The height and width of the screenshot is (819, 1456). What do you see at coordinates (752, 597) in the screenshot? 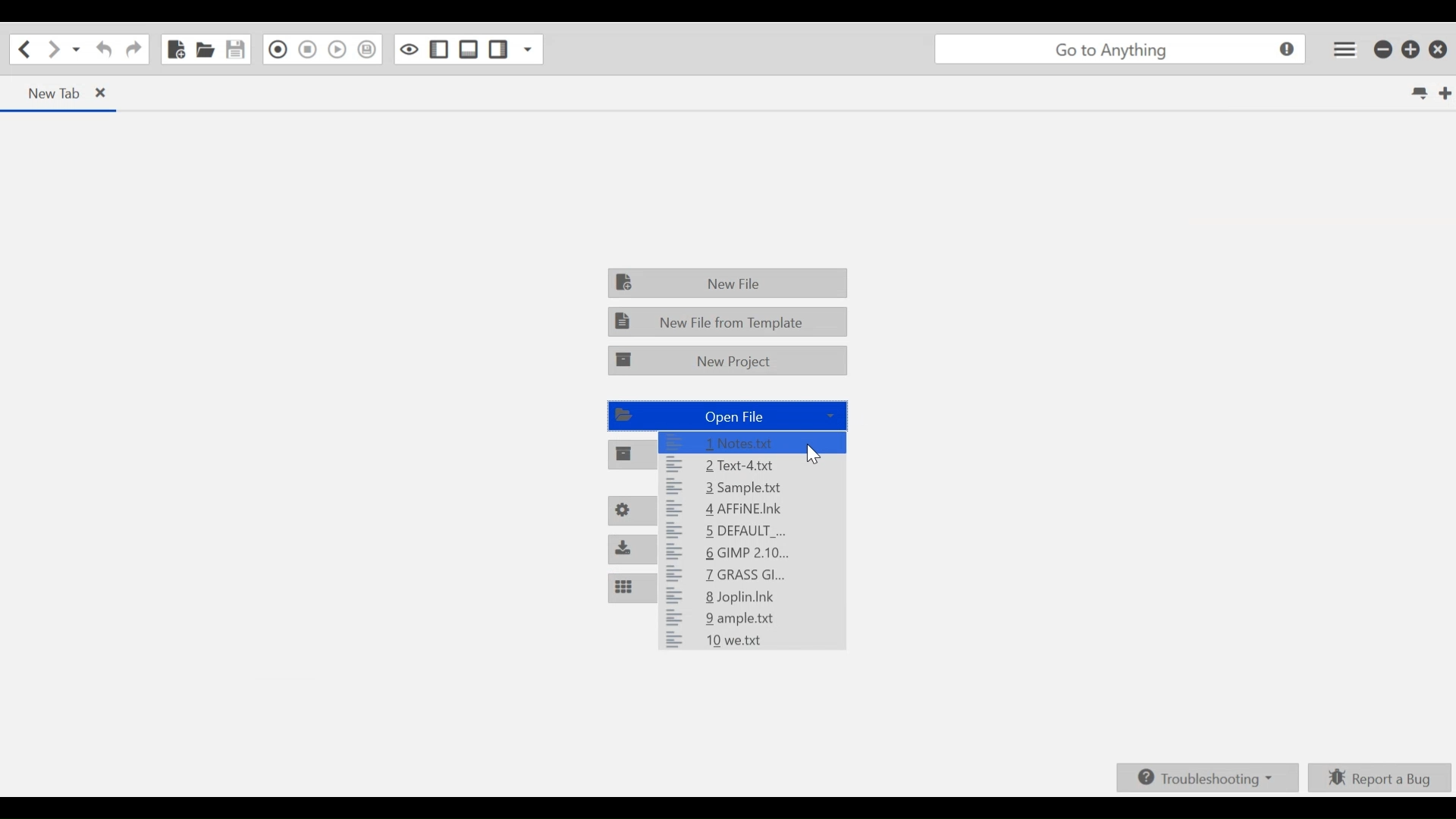
I see `8 Joplin.Ink` at bounding box center [752, 597].